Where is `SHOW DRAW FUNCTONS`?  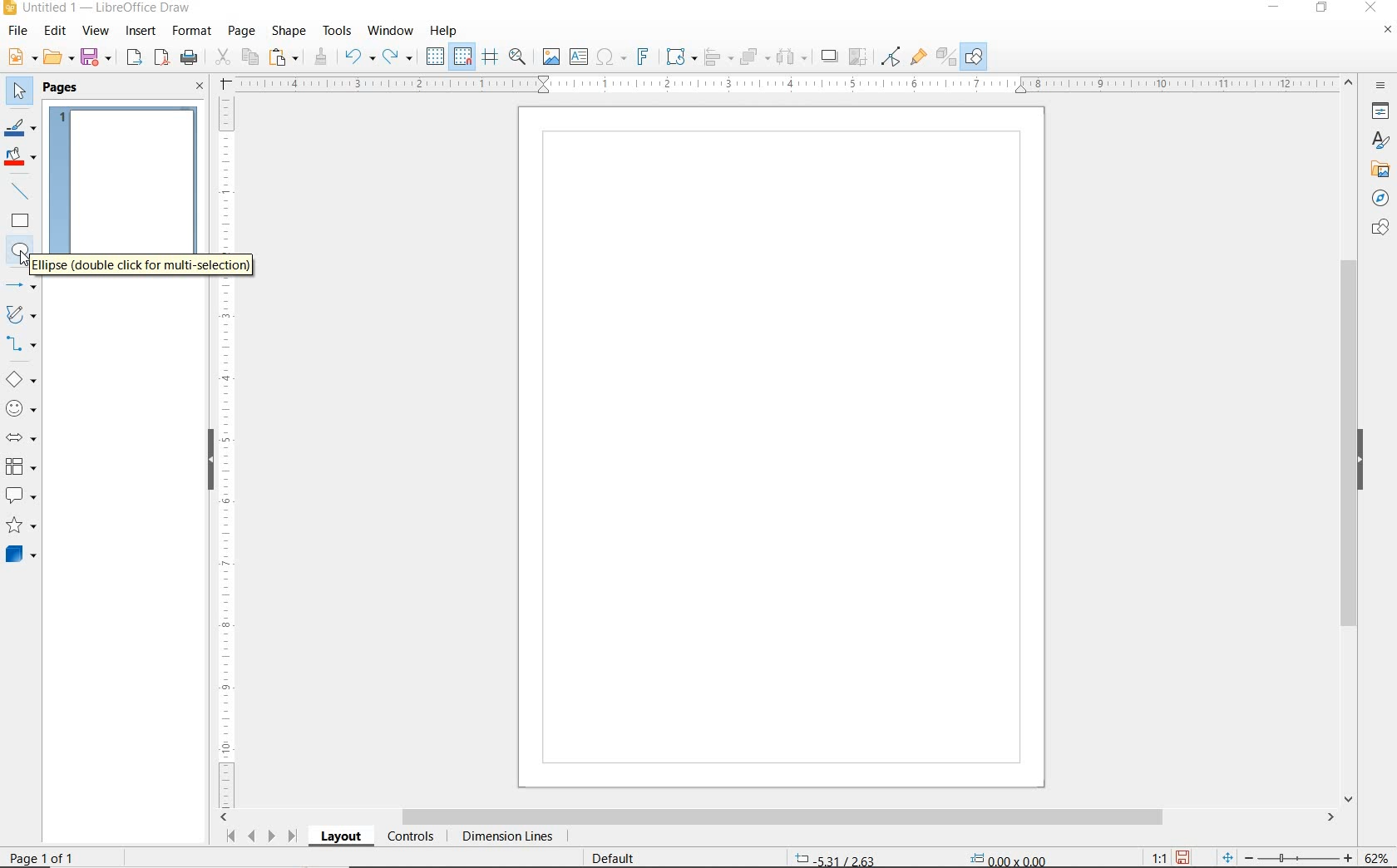 SHOW DRAW FUNCTONS is located at coordinates (974, 57).